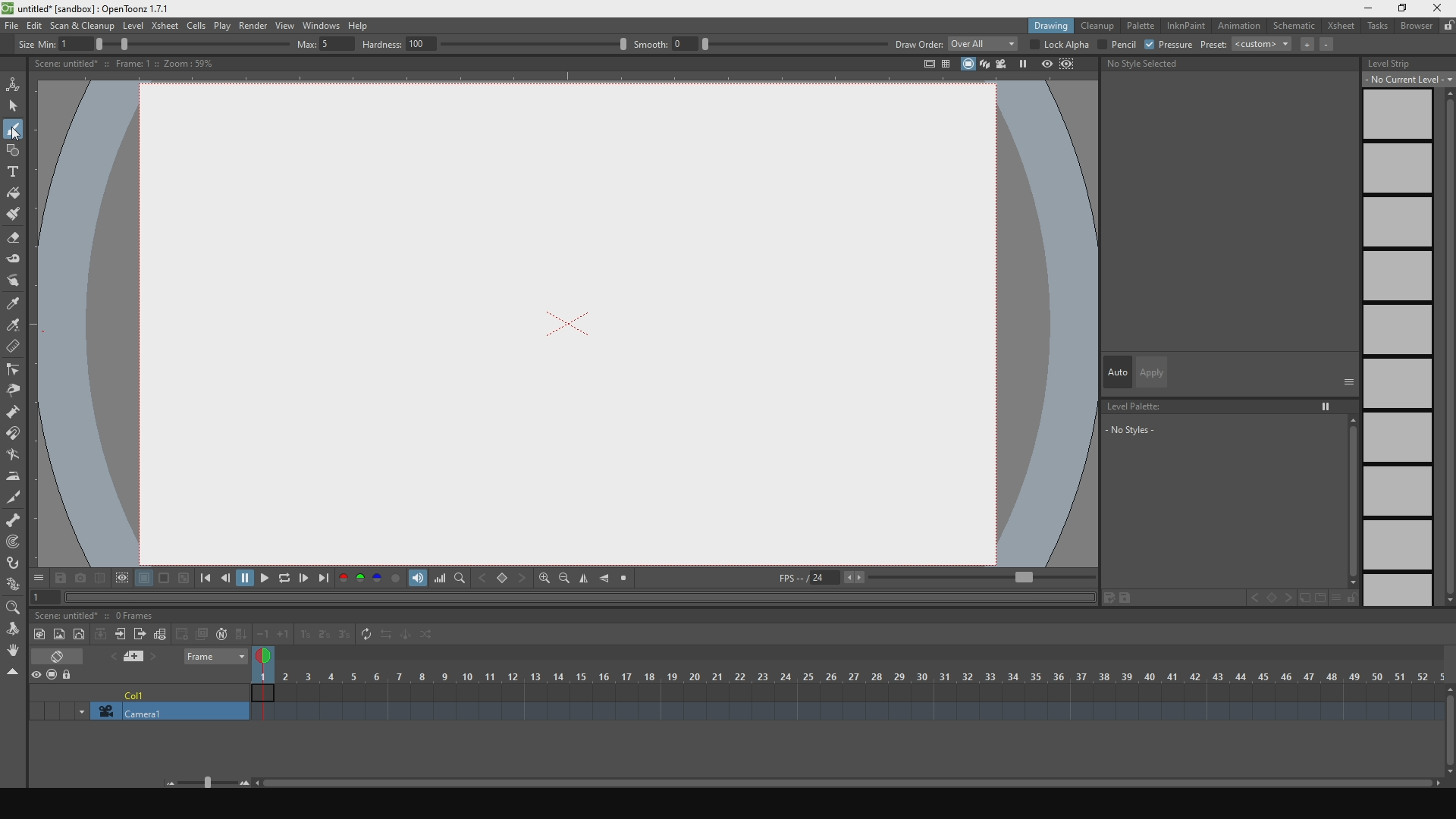 The height and width of the screenshot is (819, 1456). Describe the element at coordinates (121, 580) in the screenshot. I see `define region` at that location.